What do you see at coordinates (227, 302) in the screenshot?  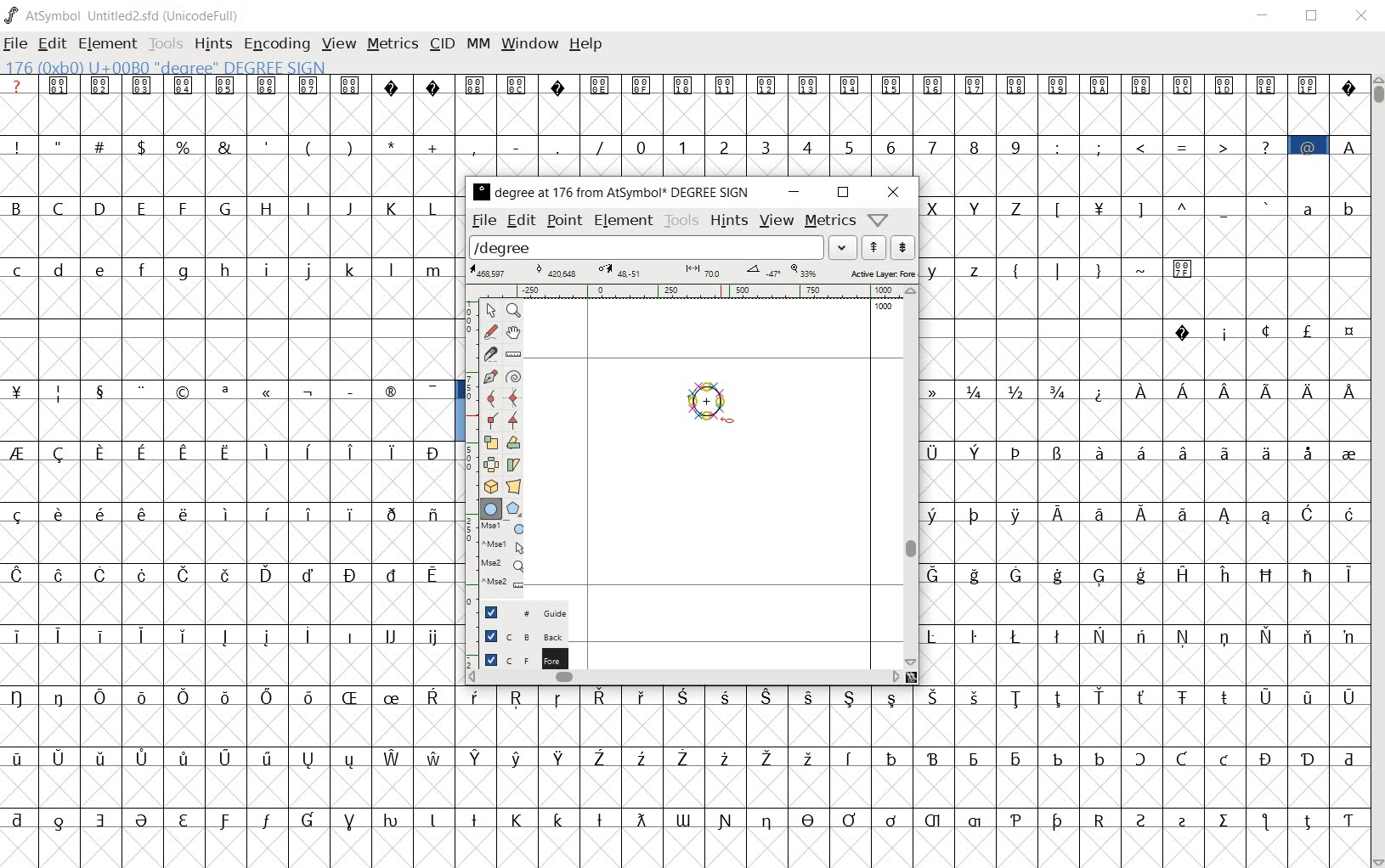 I see `empty glyph slots` at bounding box center [227, 302].